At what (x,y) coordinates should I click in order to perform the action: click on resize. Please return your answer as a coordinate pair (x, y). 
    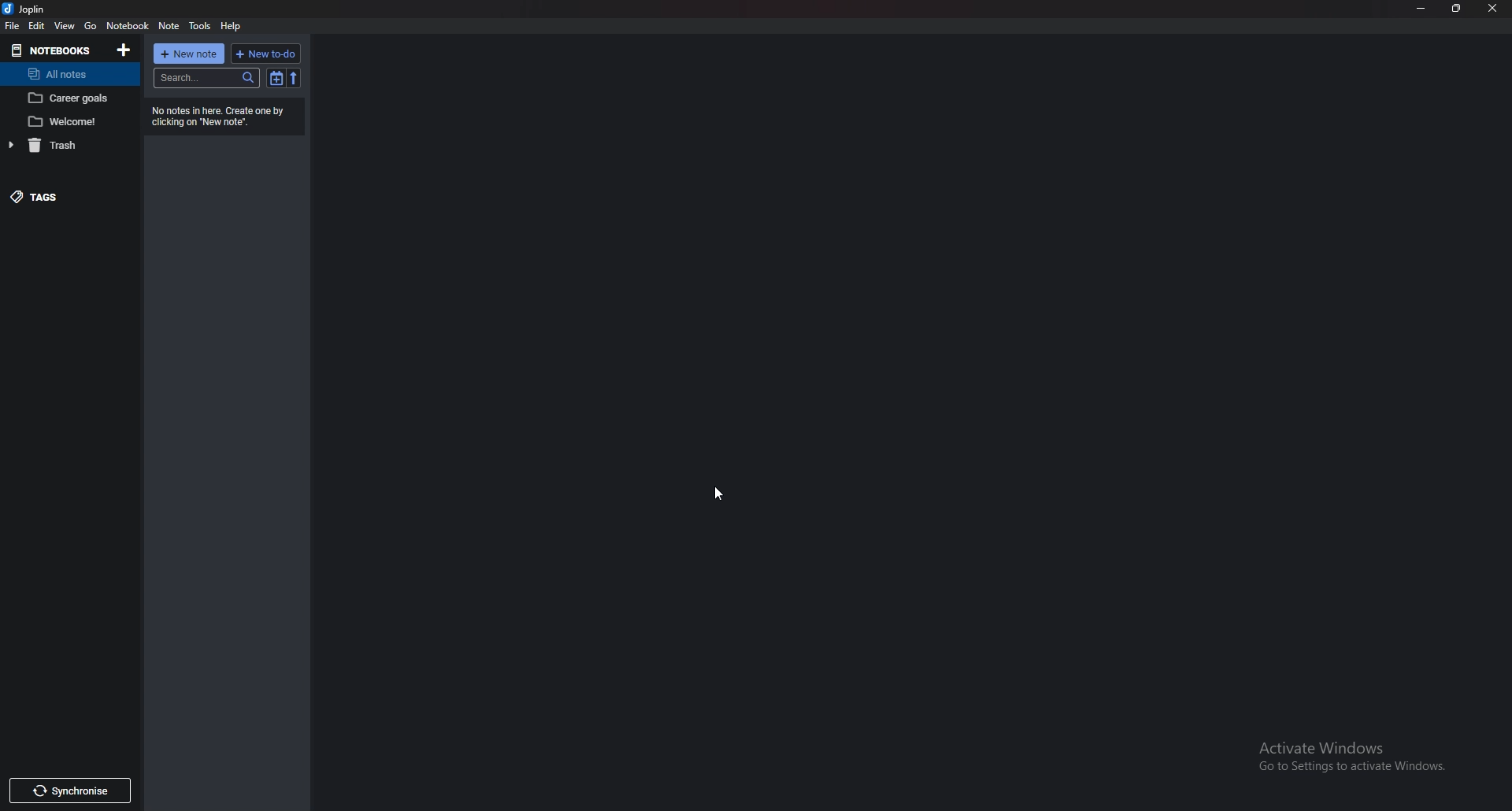
    Looking at the image, I should click on (1458, 9).